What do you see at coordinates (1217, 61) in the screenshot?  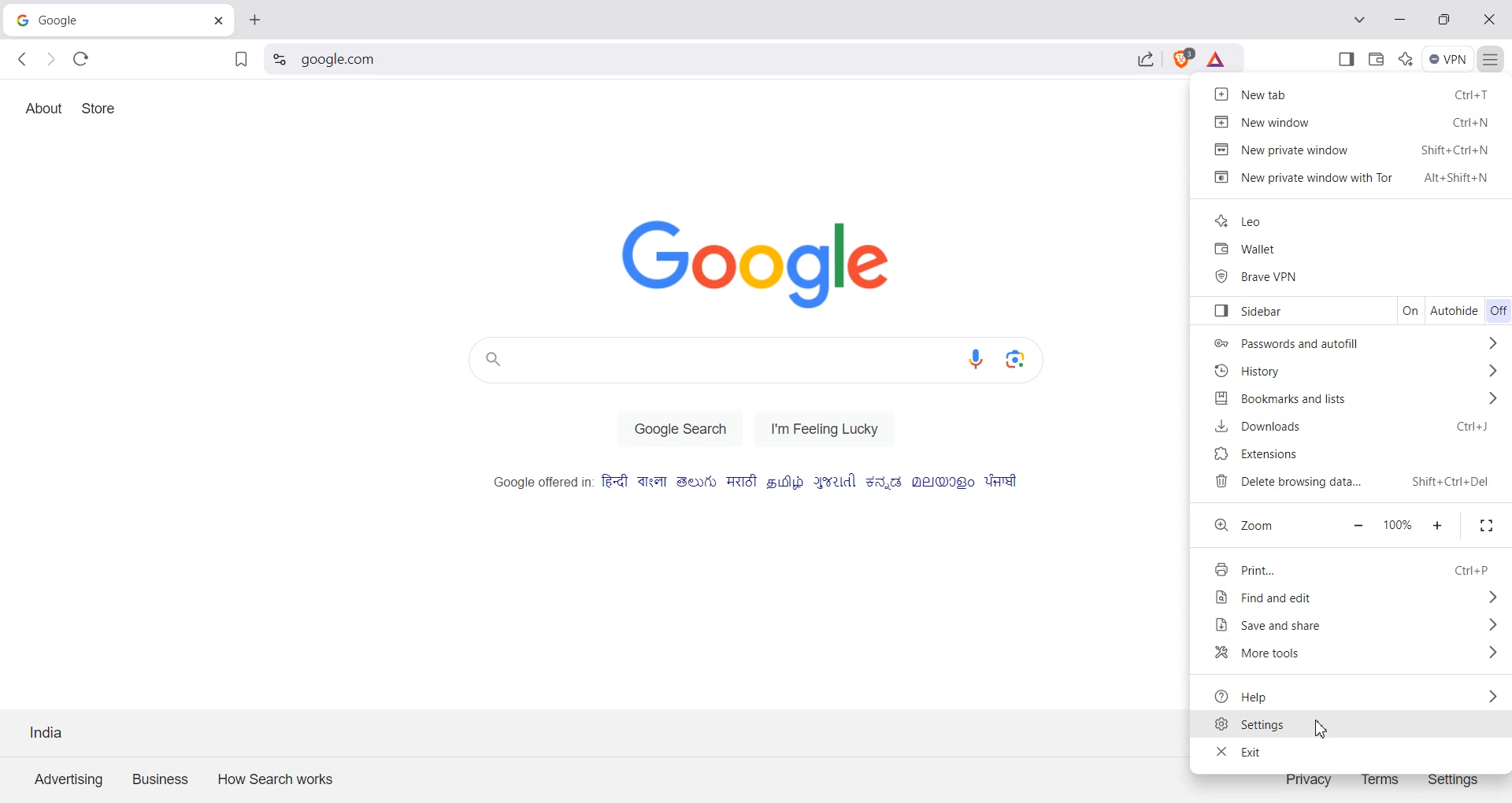 I see `Brave Reward` at bounding box center [1217, 61].